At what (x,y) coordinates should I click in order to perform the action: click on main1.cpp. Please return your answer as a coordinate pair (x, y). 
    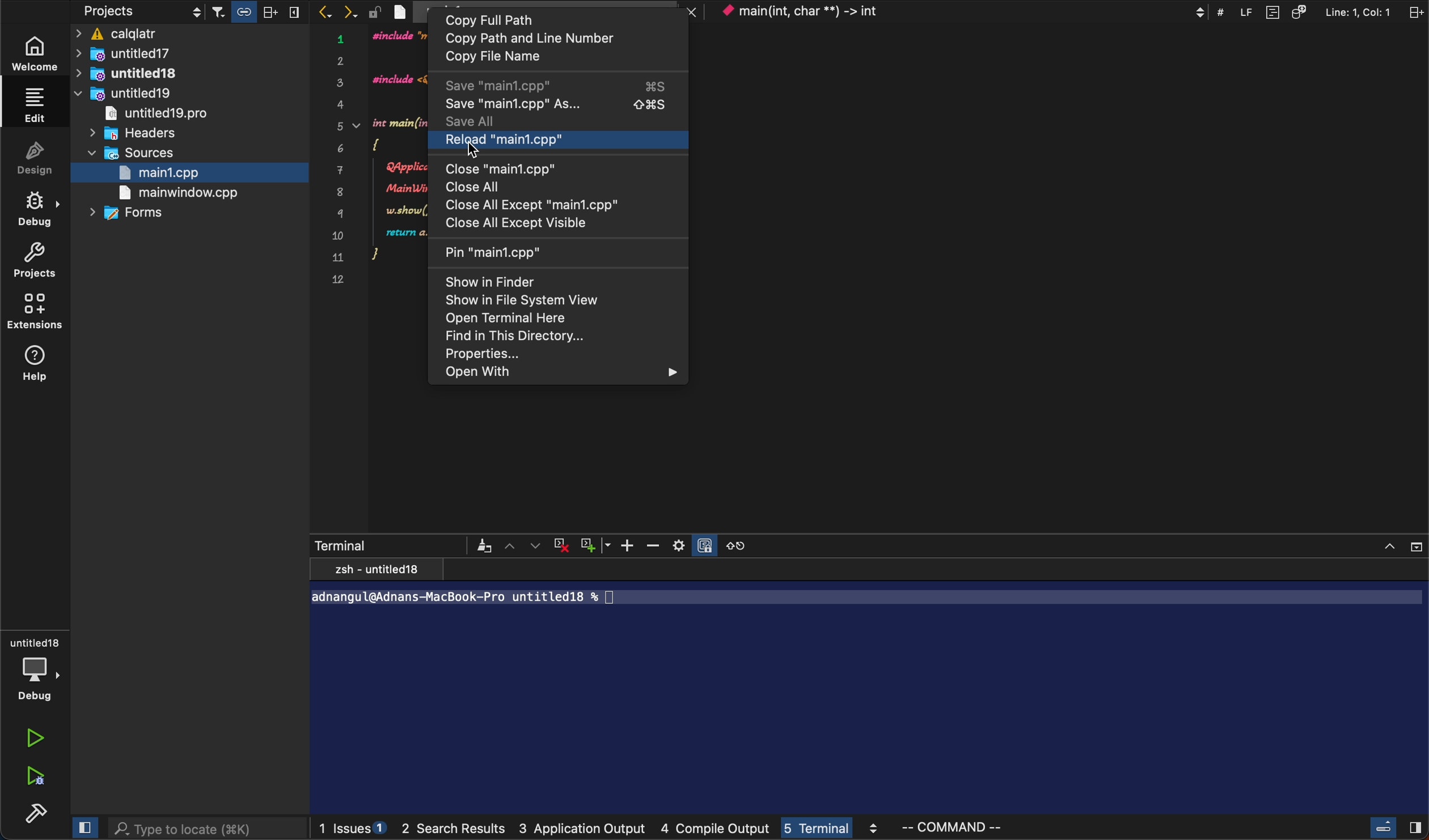
    Looking at the image, I should click on (184, 173).